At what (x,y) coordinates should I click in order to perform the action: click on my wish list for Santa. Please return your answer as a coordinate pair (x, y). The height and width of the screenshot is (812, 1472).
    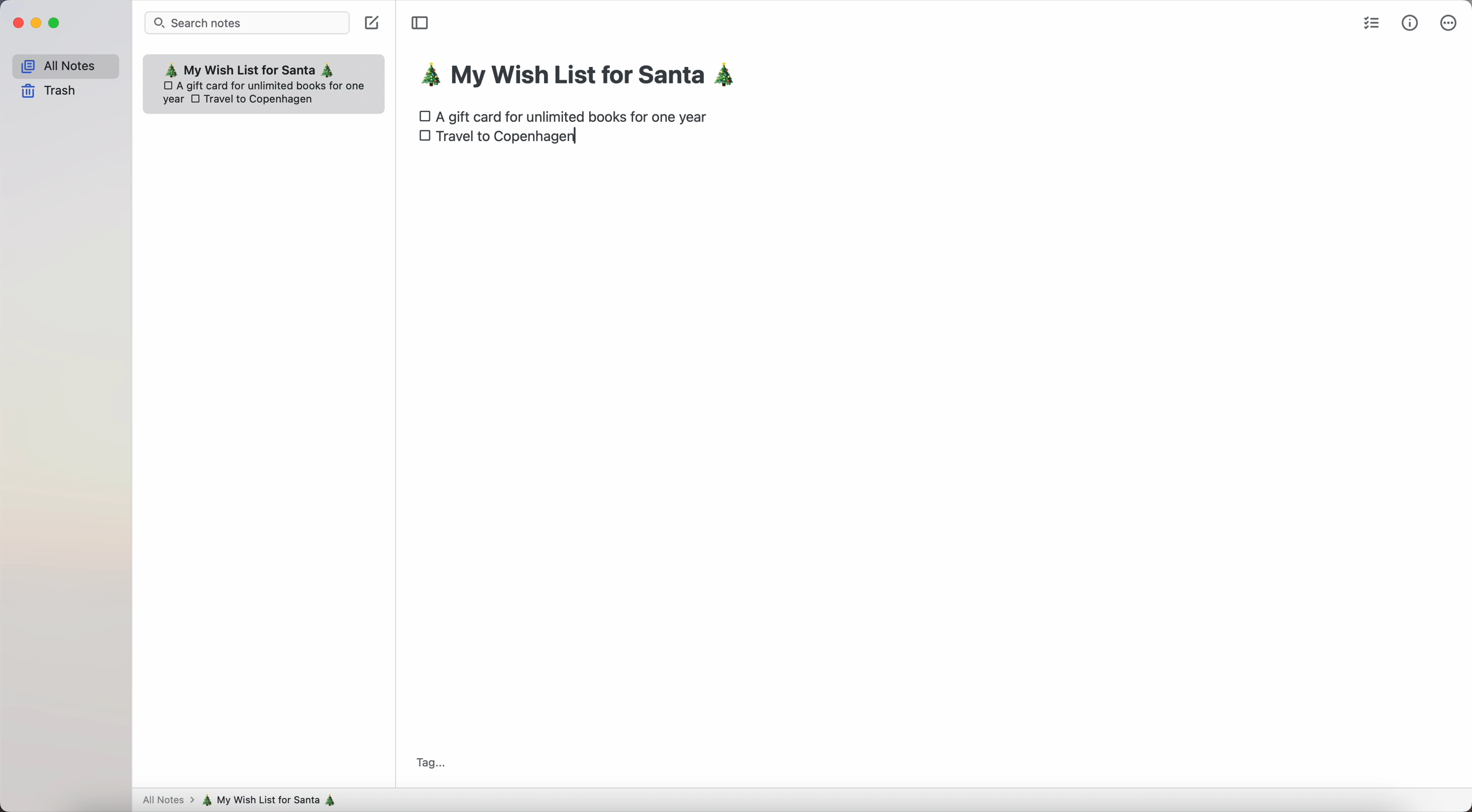
    Looking at the image, I should click on (585, 77).